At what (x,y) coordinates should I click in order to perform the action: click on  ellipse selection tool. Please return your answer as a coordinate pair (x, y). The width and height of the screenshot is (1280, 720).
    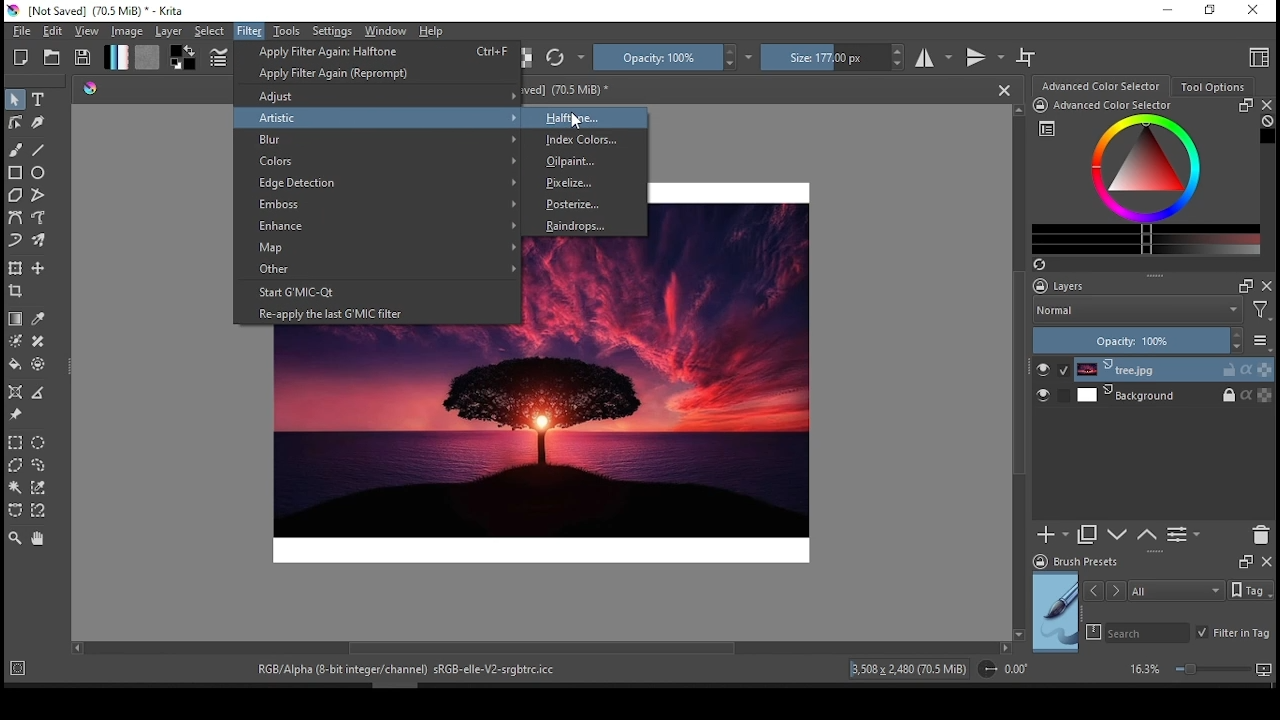
    Looking at the image, I should click on (38, 442).